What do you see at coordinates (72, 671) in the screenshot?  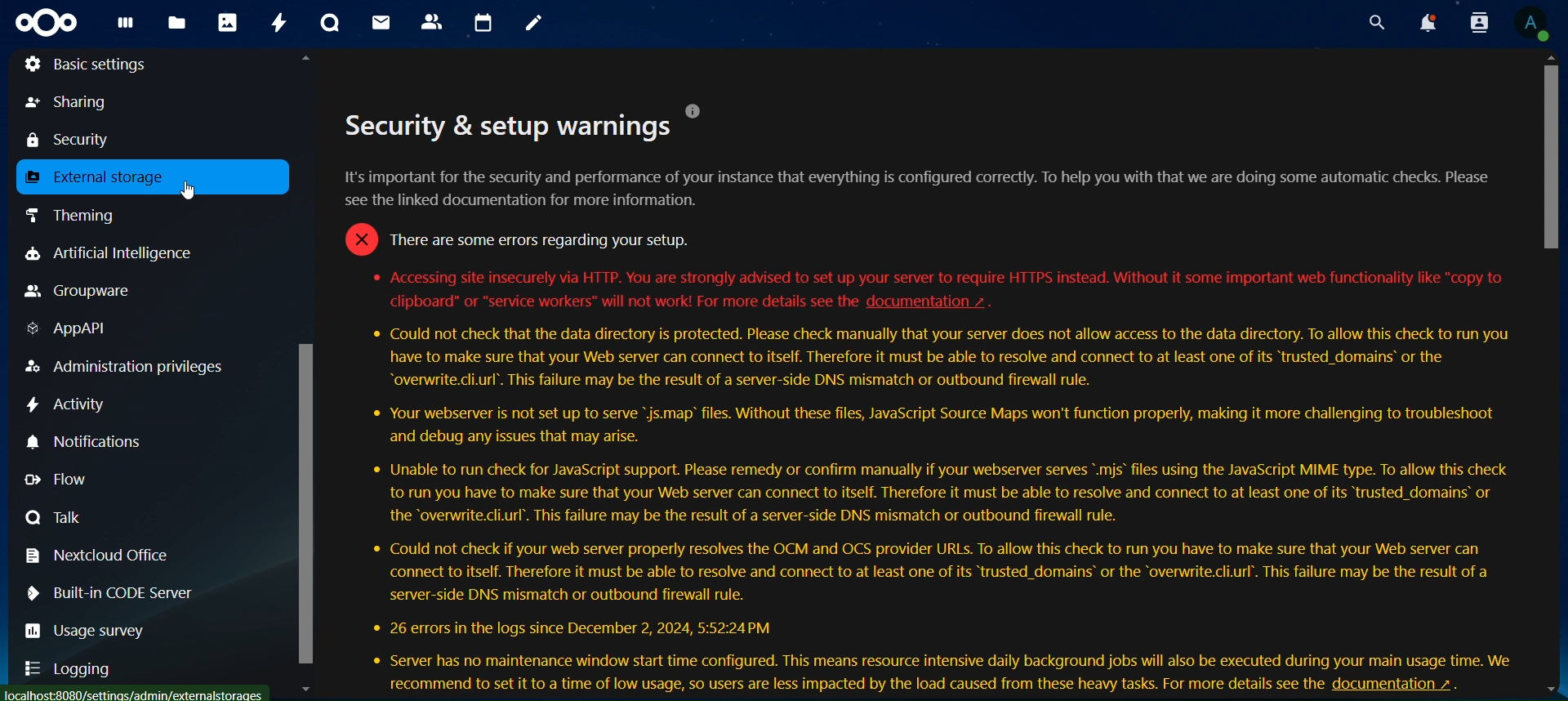 I see `logging` at bounding box center [72, 671].